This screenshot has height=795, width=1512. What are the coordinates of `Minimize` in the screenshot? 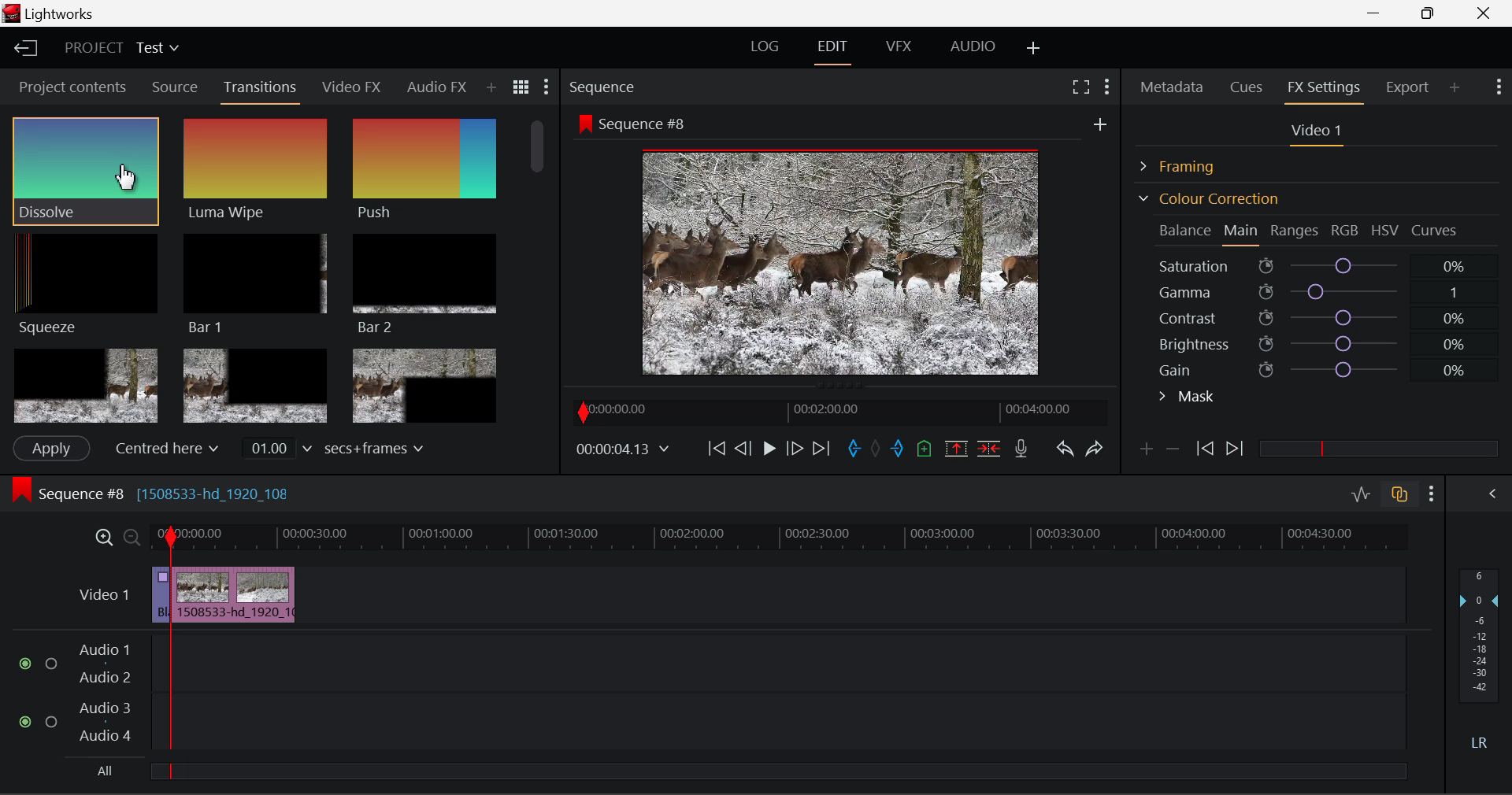 It's located at (1432, 13).